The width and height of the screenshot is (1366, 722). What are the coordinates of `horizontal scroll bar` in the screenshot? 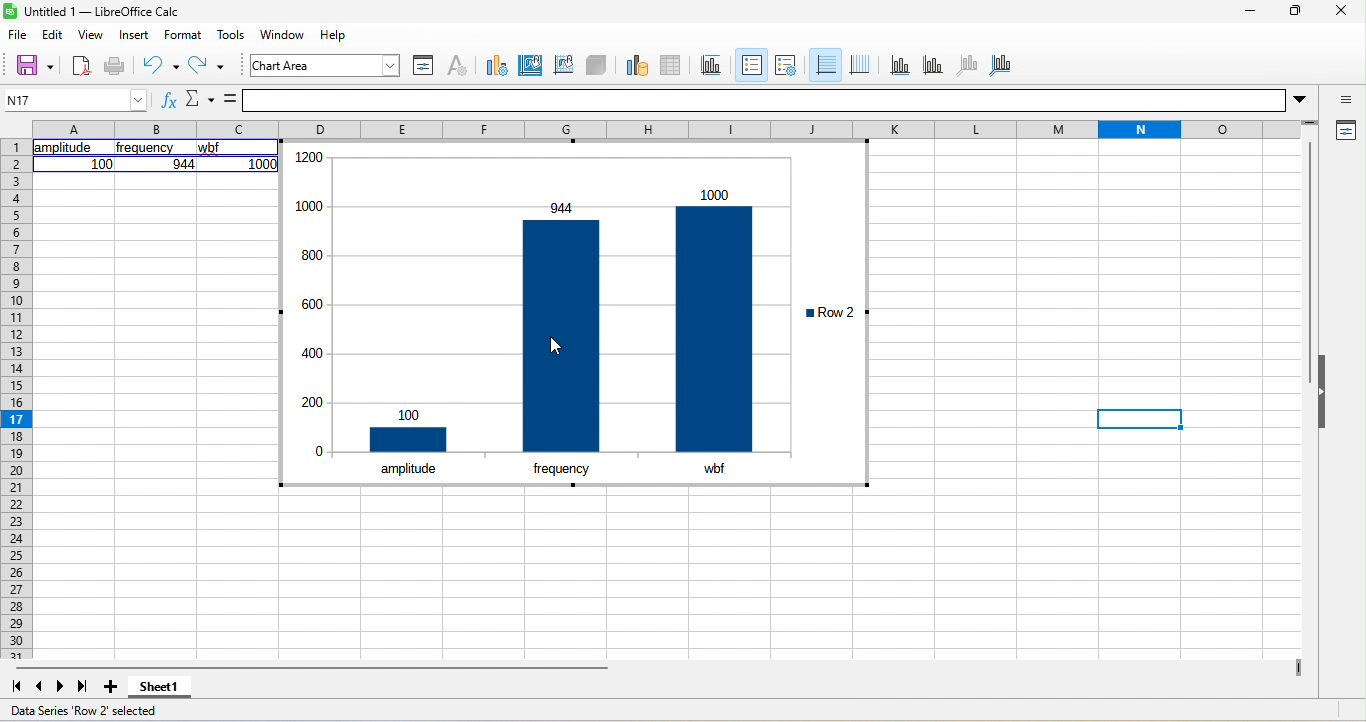 It's located at (313, 667).